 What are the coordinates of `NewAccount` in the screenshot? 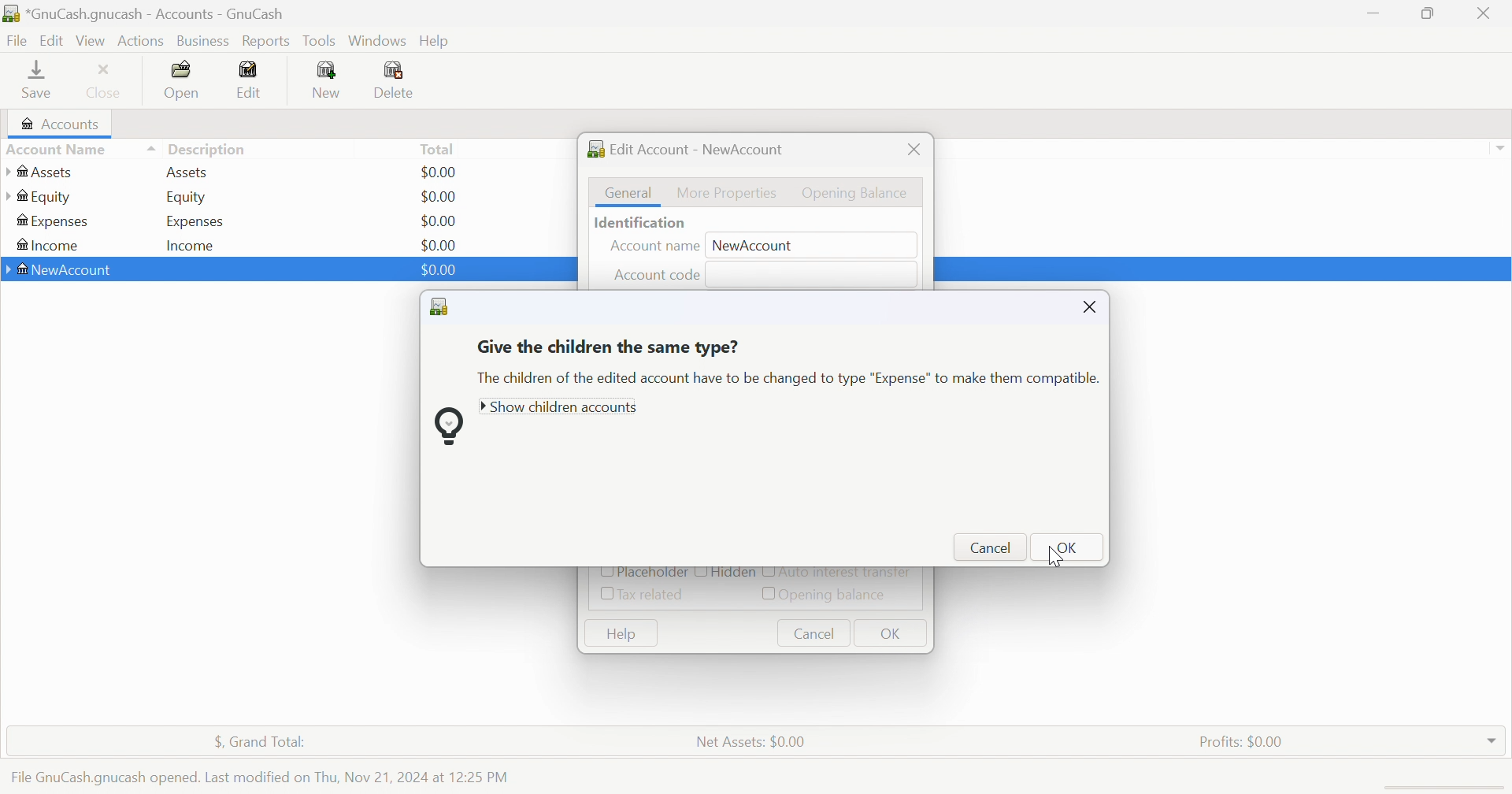 It's located at (62, 271).